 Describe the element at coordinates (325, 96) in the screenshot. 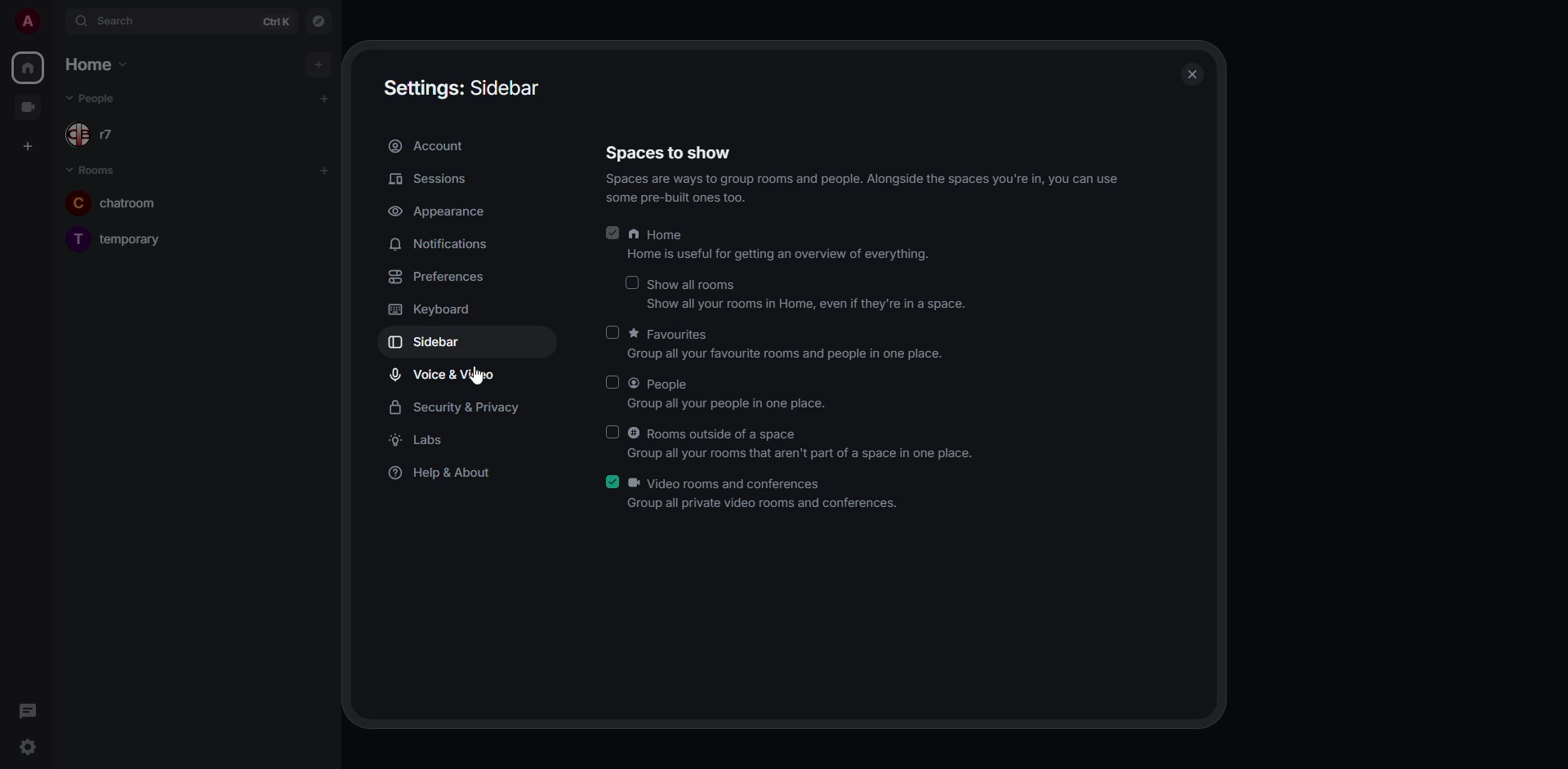

I see `add` at that location.